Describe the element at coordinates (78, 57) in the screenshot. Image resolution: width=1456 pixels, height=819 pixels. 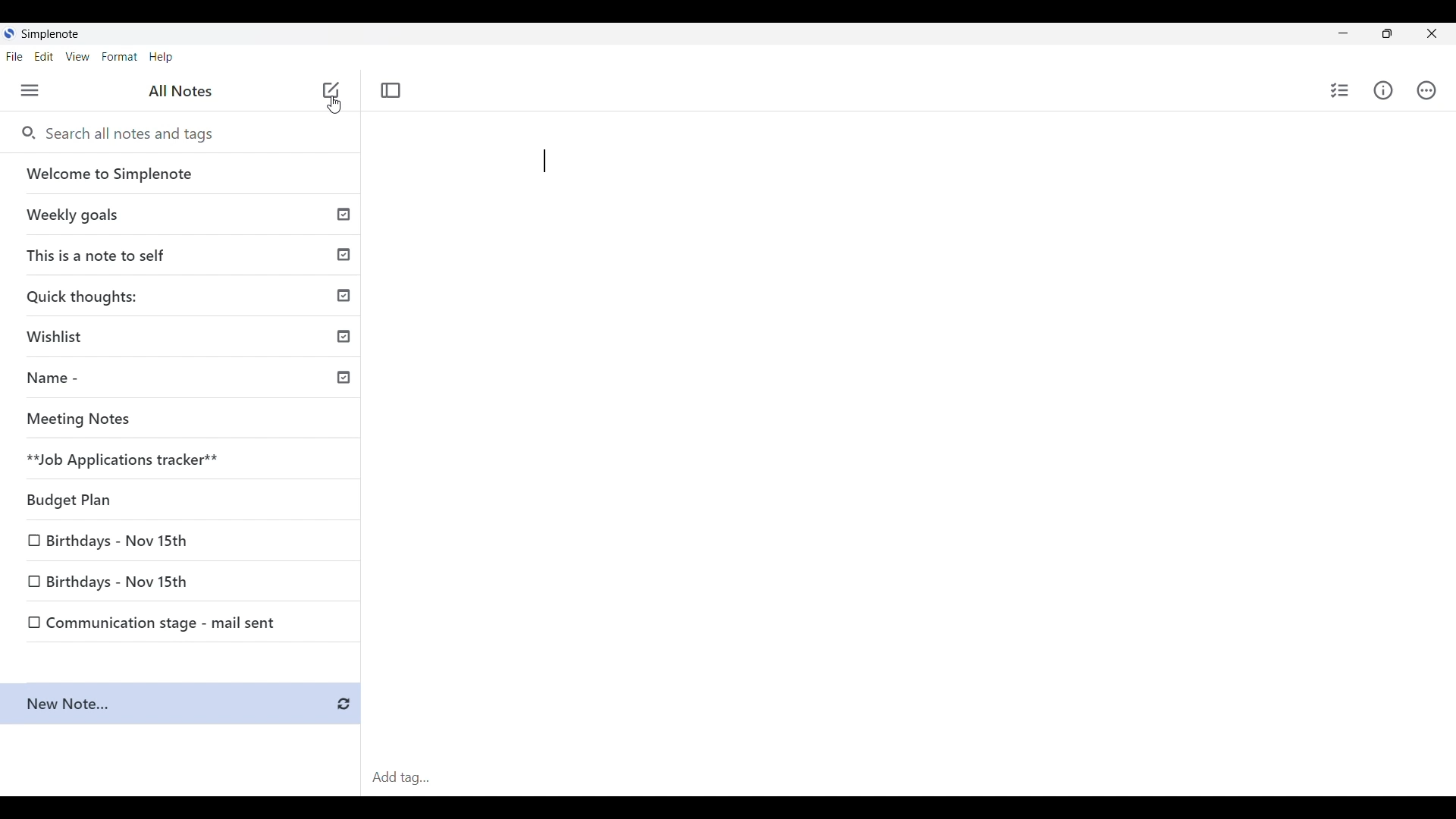
I see `View` at that location.